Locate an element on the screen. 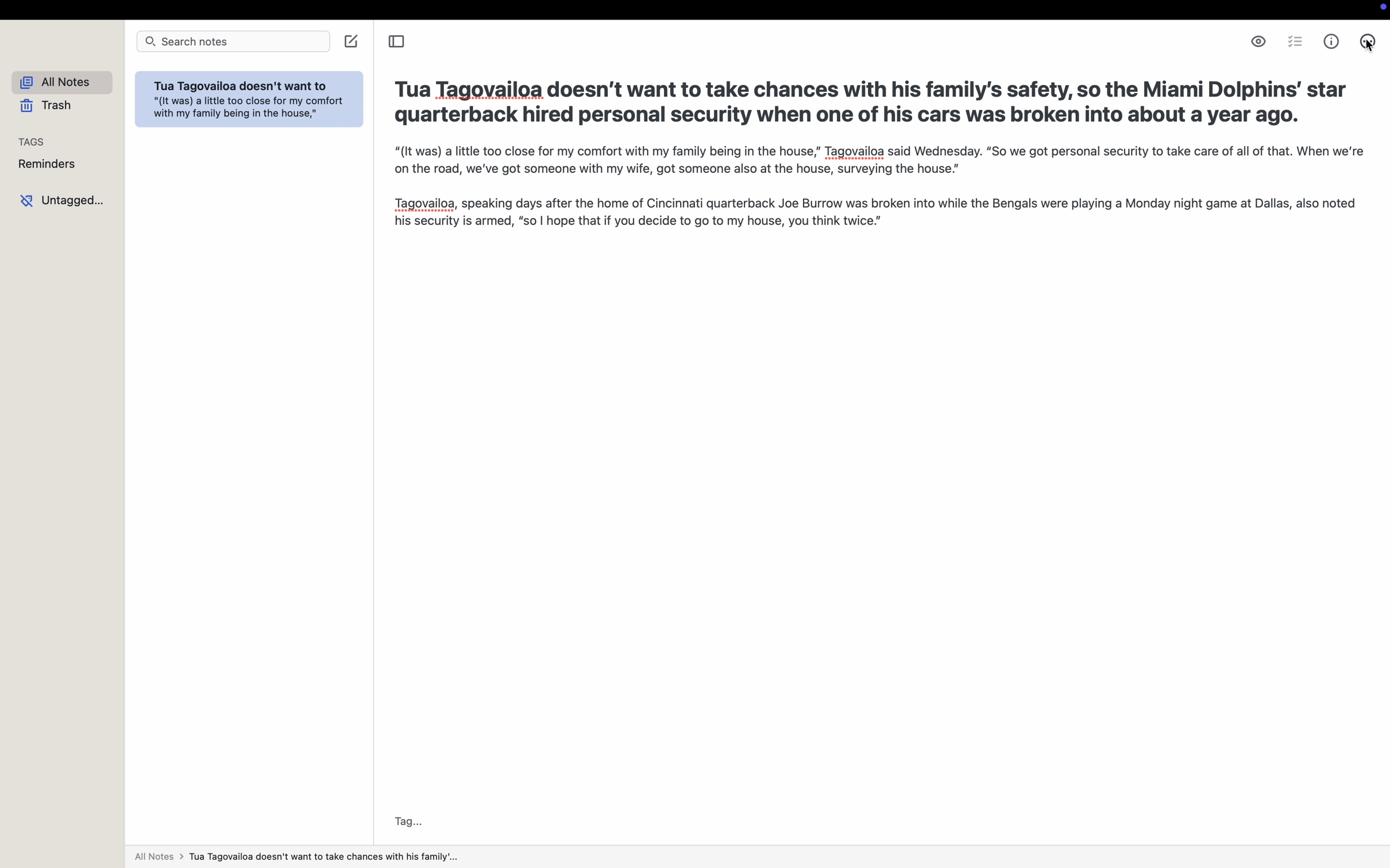 The width and height of the screenshot is (1390, 868). tag is located at coordinates (409, 821).